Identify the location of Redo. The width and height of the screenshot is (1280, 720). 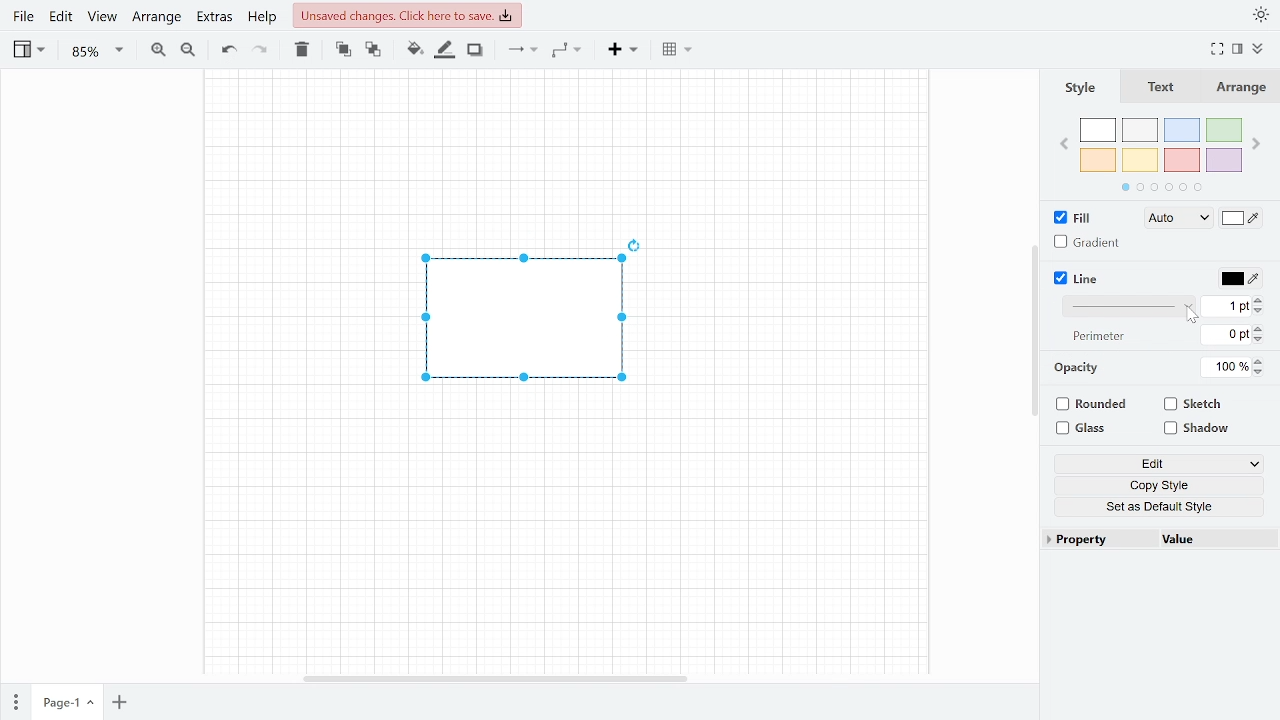
(226, 50).